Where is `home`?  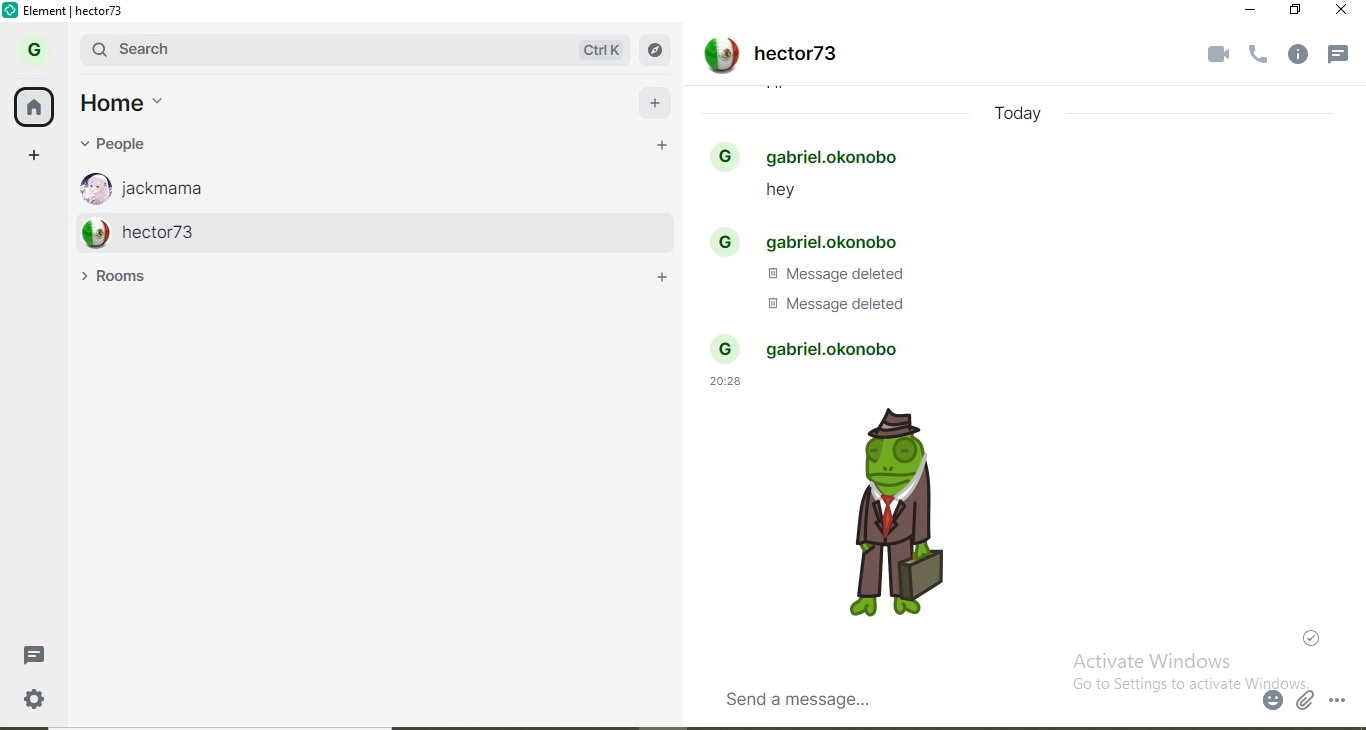 home is located at coordinates (137, 104).